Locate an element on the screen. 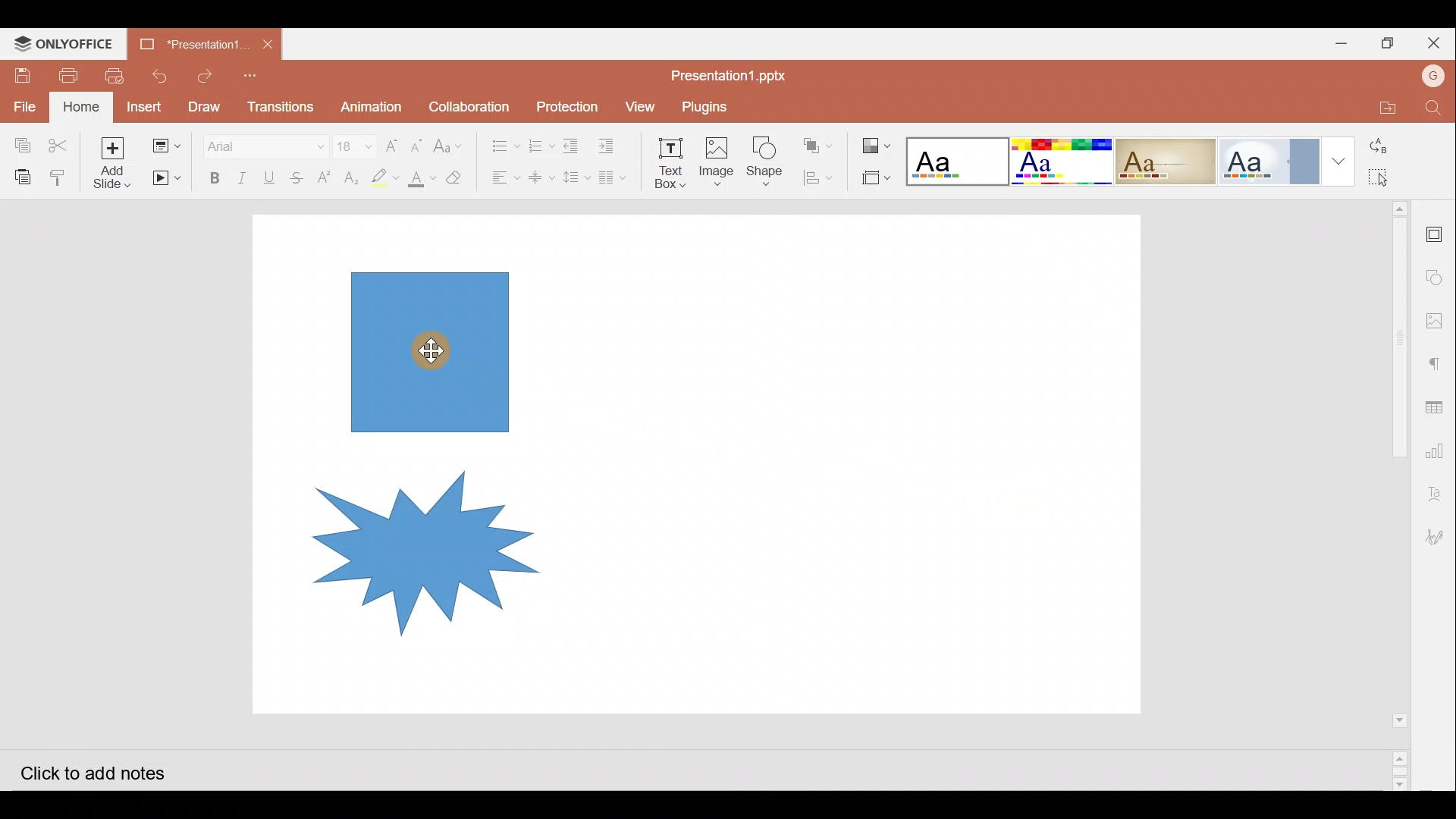 The height and width of the screenshot is (819, 1456). Account name is located at coordinates (1433, 78).